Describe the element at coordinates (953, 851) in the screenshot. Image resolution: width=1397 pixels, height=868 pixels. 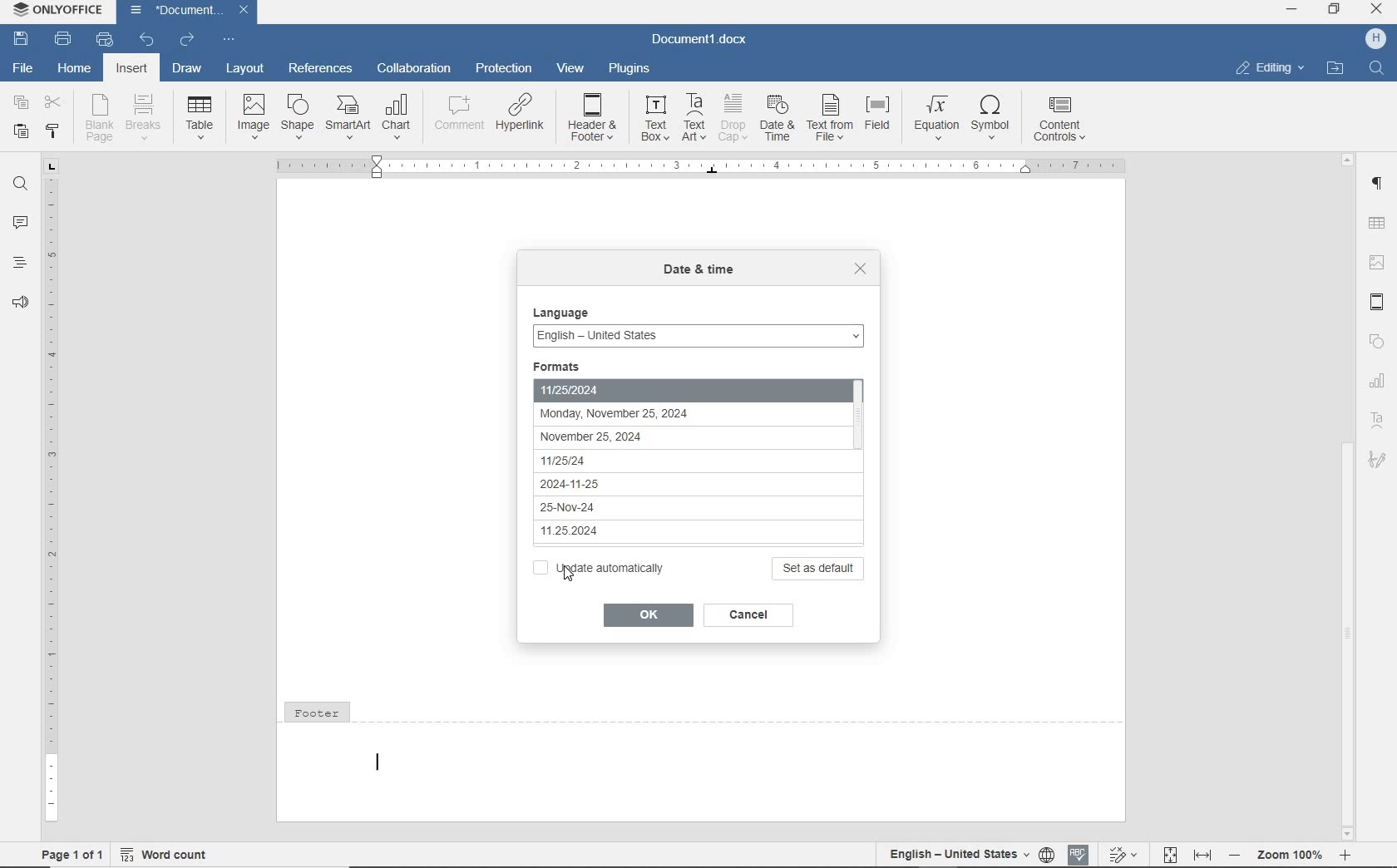
I see `English - United States` at that location.